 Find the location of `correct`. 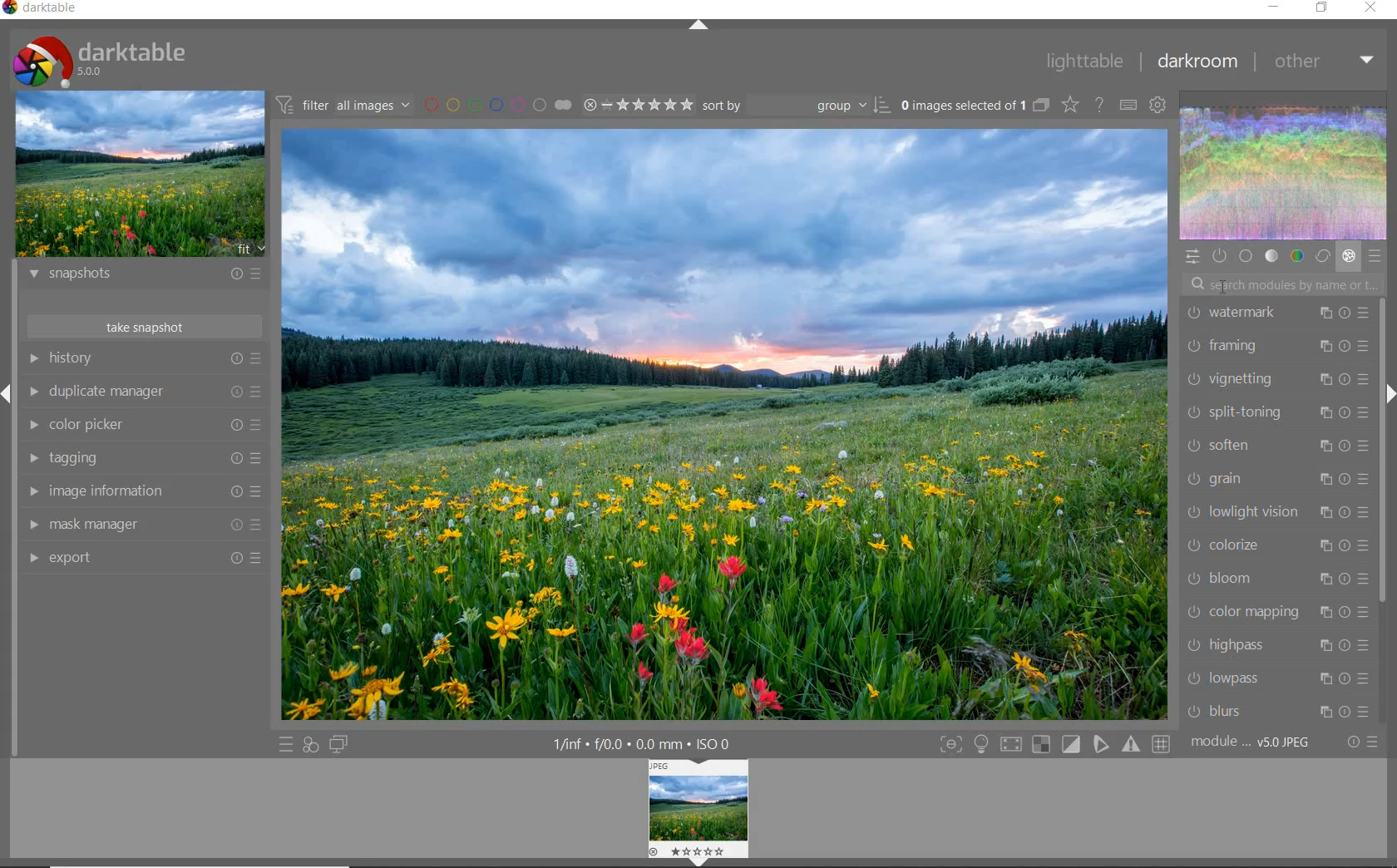

correct is located at coordinates (1323, 257).